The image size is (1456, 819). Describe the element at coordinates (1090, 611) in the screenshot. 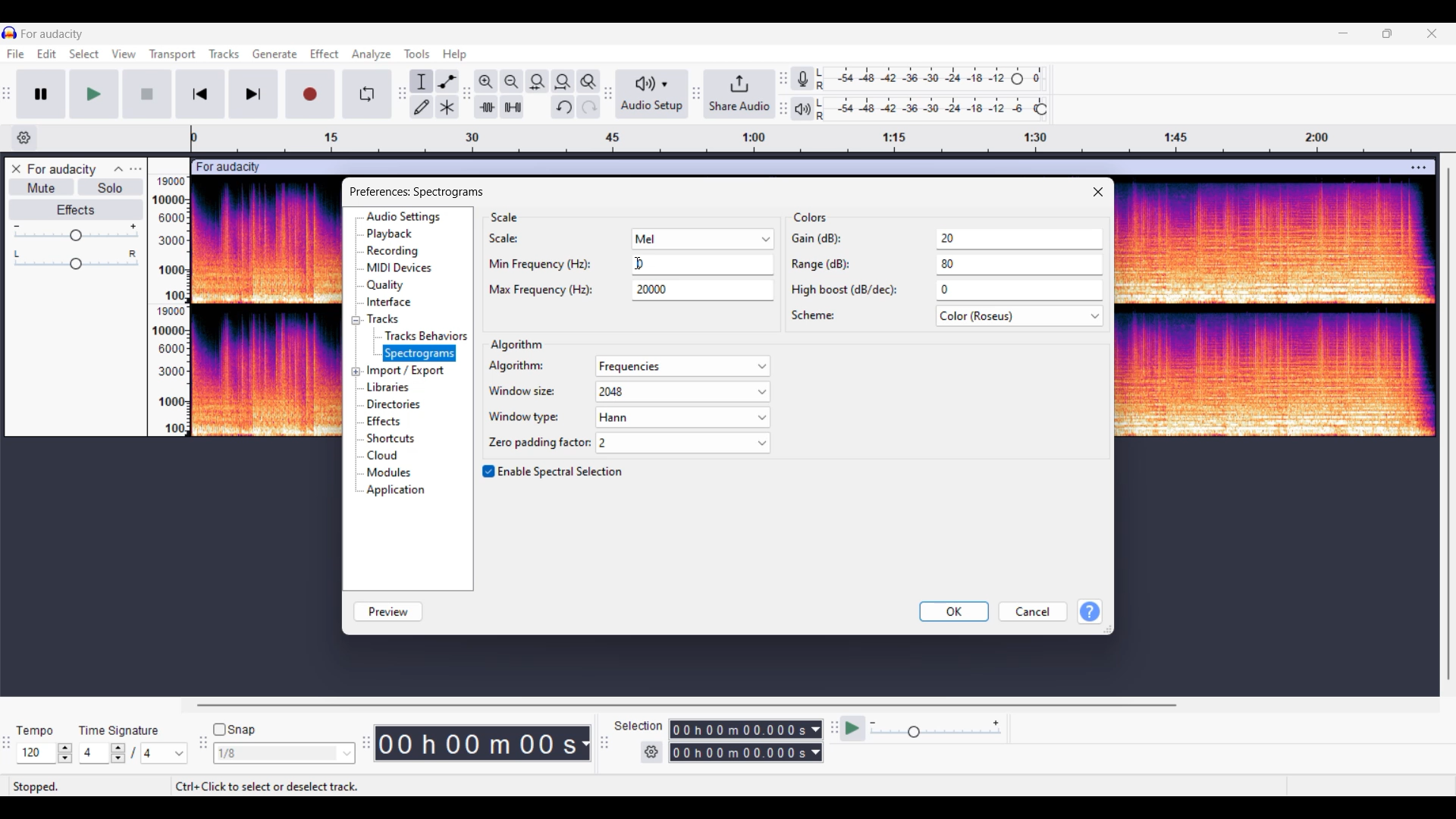

I see `Get help` at that location.